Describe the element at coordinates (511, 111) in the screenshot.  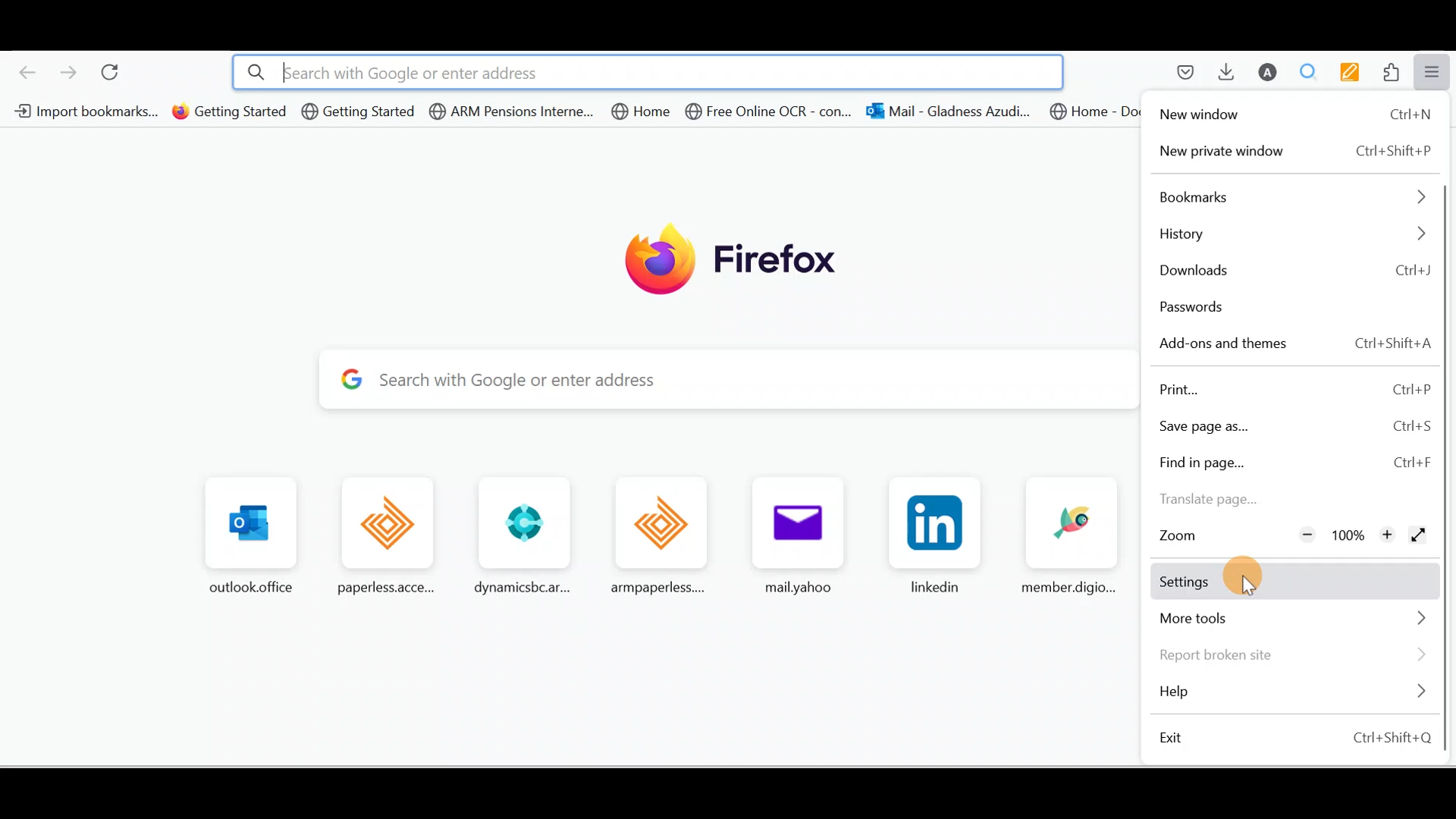
I see `Bookmark 4` at that location.